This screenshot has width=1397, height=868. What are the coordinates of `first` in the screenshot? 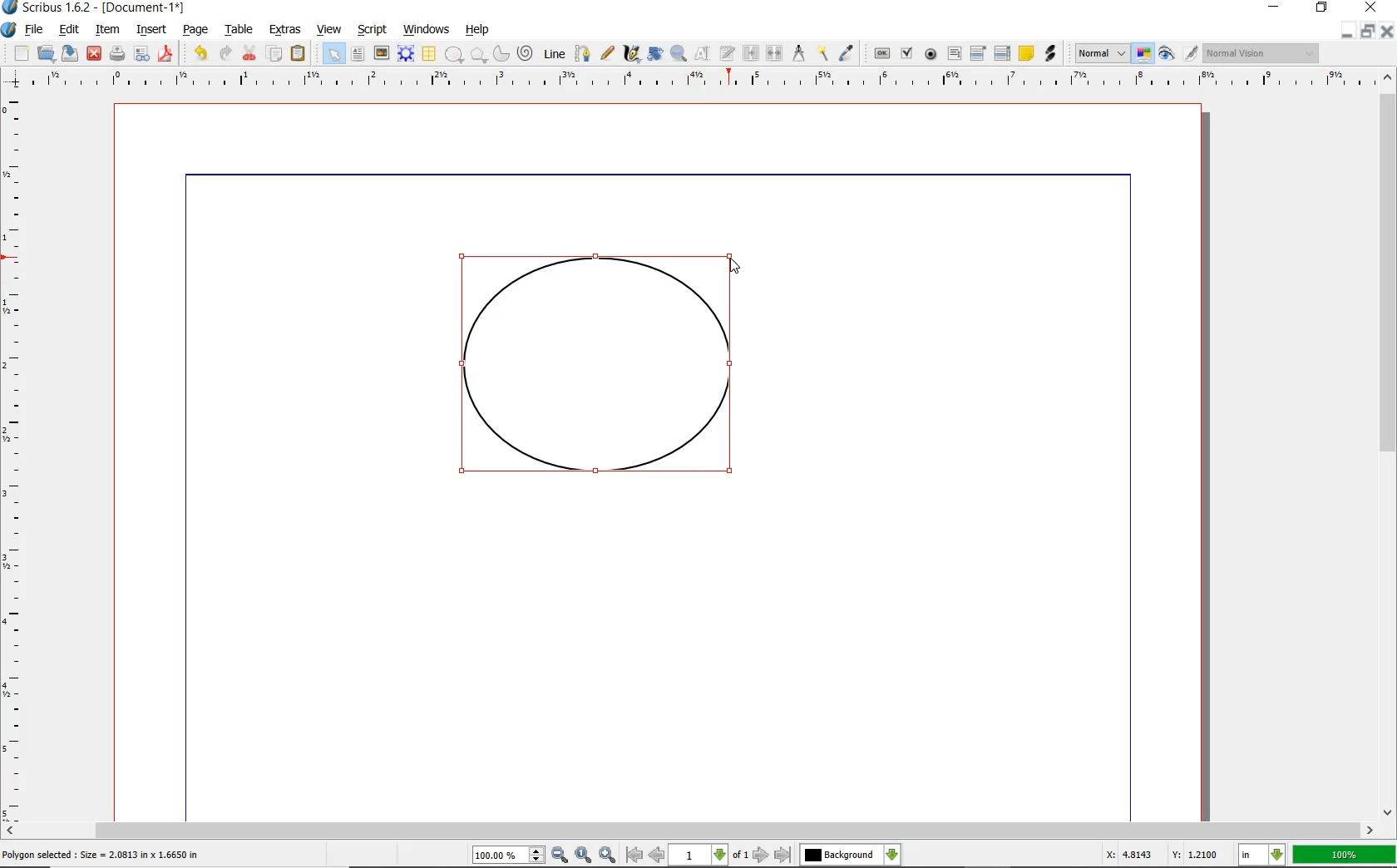 It's located at (634, 855).